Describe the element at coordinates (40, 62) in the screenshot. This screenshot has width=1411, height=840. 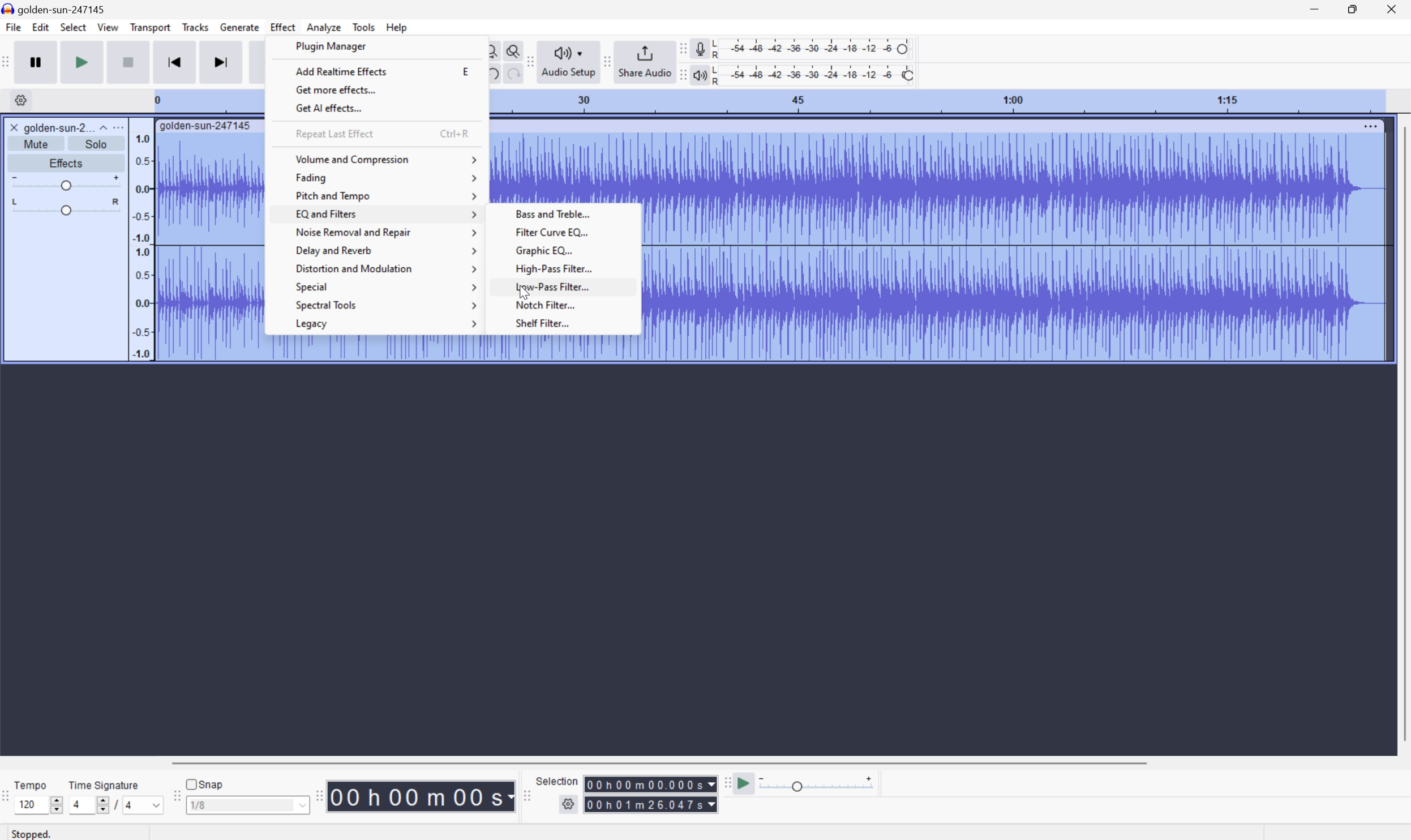
I see `Pause` at that location.